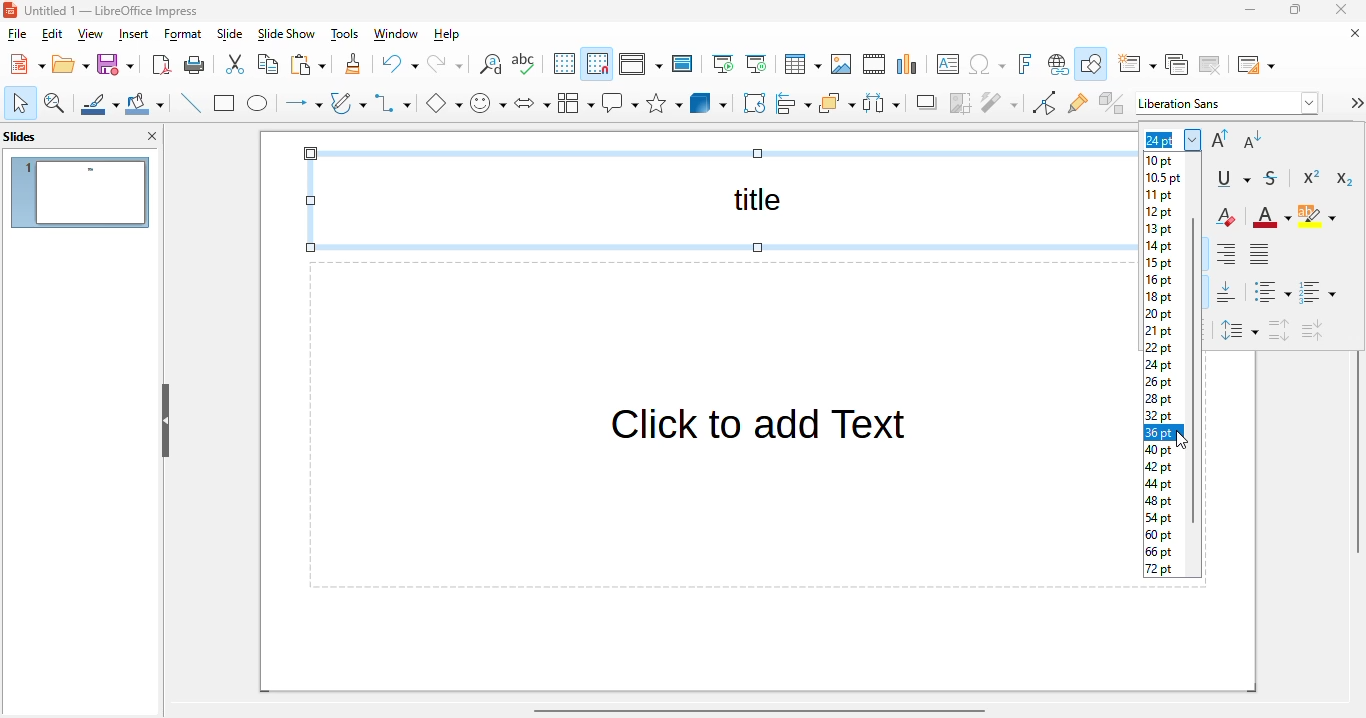  What do you see at coordinates (445, 64) in the screenshot?
I see `redo` at bounding box center [445, 64].